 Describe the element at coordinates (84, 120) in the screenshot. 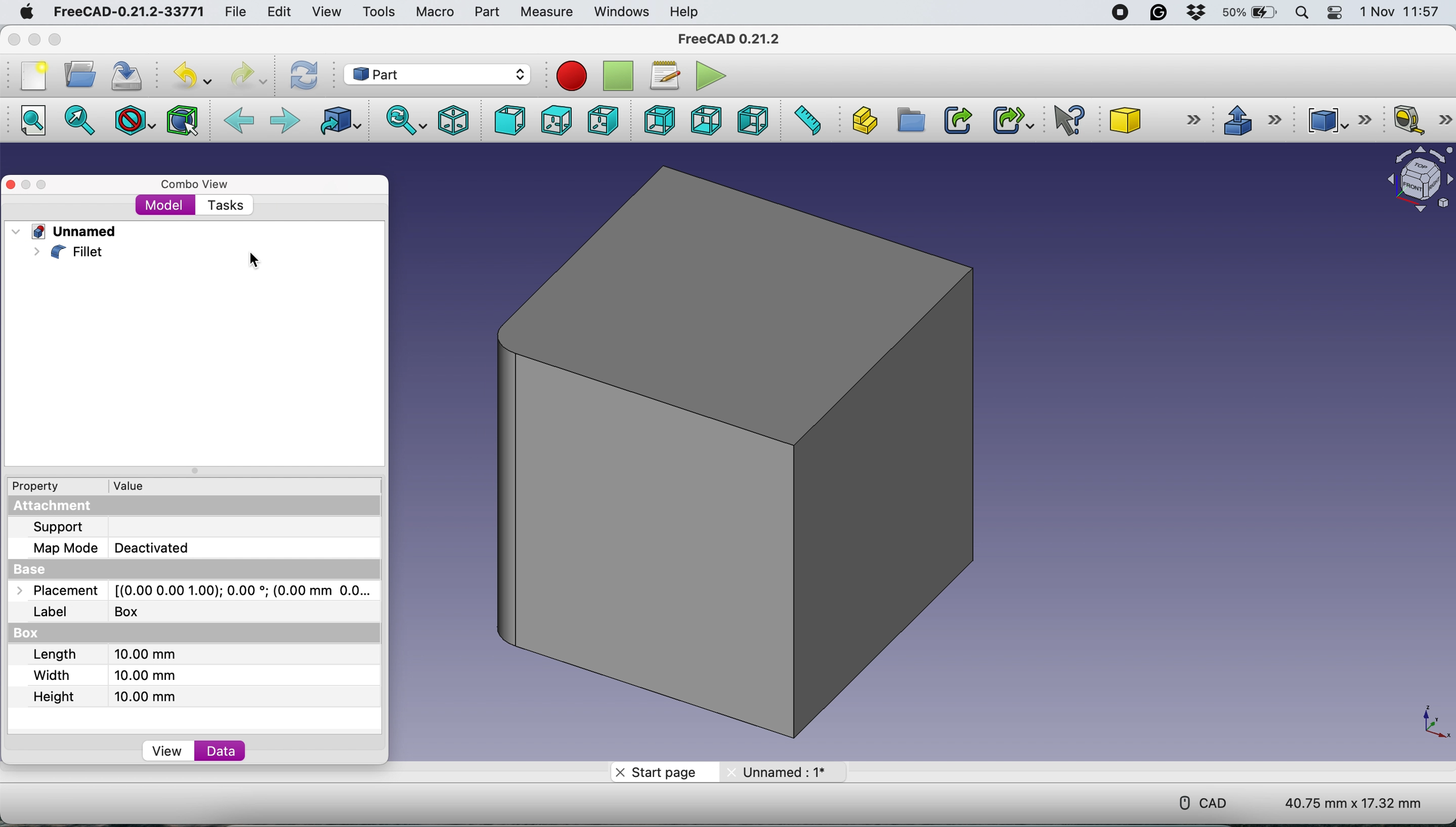

I see `fit all selection` at that location.